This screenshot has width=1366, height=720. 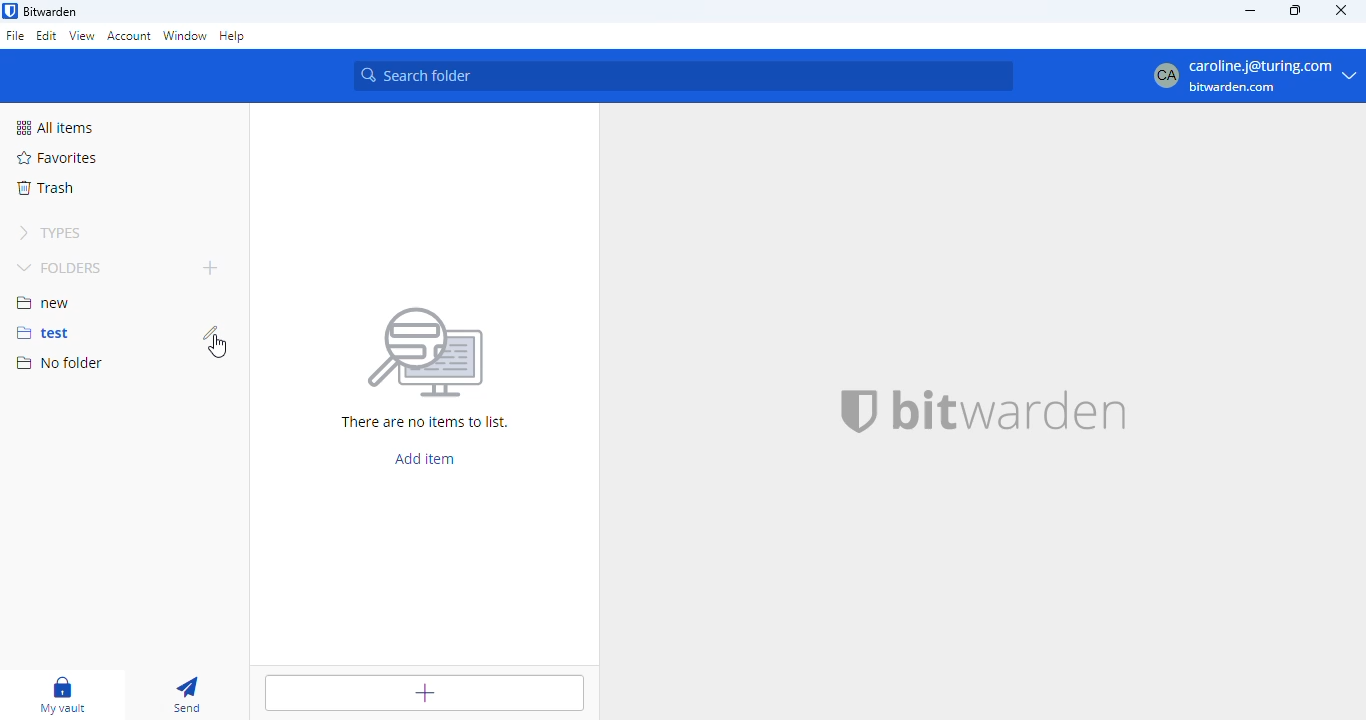 I want to click on new, so click(x=43, y=302).